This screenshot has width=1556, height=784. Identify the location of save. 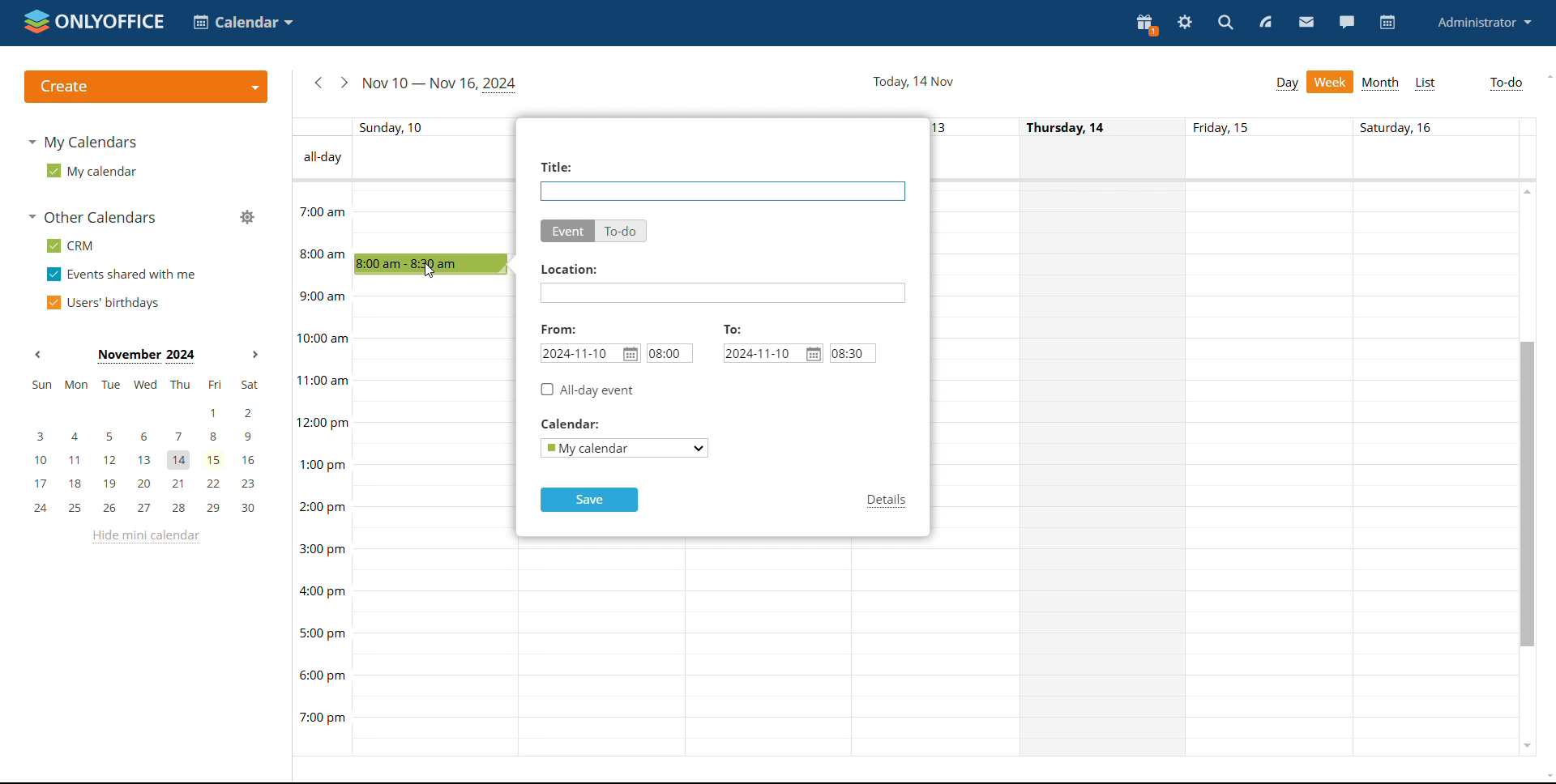
(588, 501).